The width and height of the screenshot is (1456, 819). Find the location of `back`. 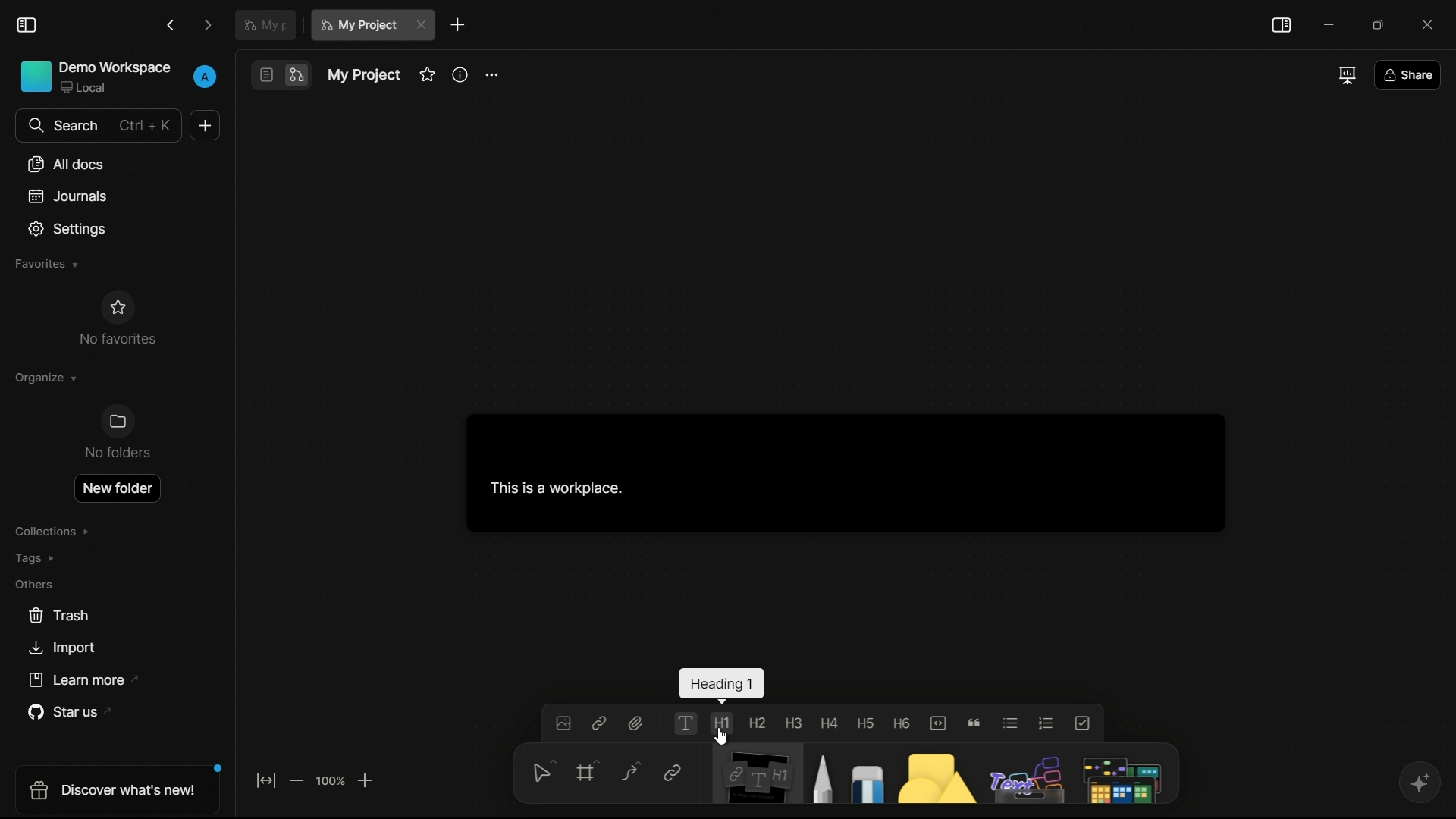

back is located at coordinates (172, 24).